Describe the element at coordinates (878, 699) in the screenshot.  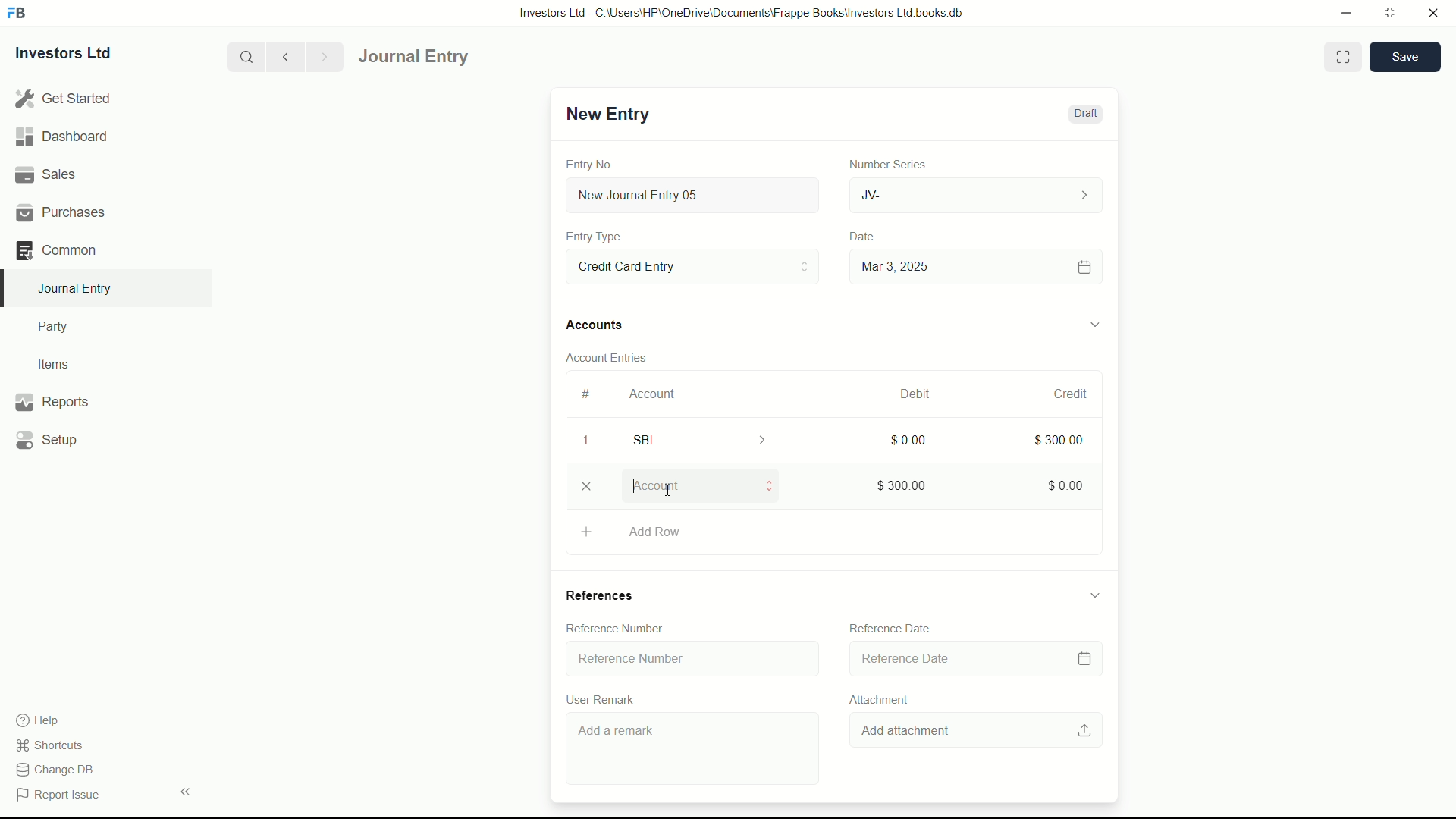
I see `Attachment` at that location.